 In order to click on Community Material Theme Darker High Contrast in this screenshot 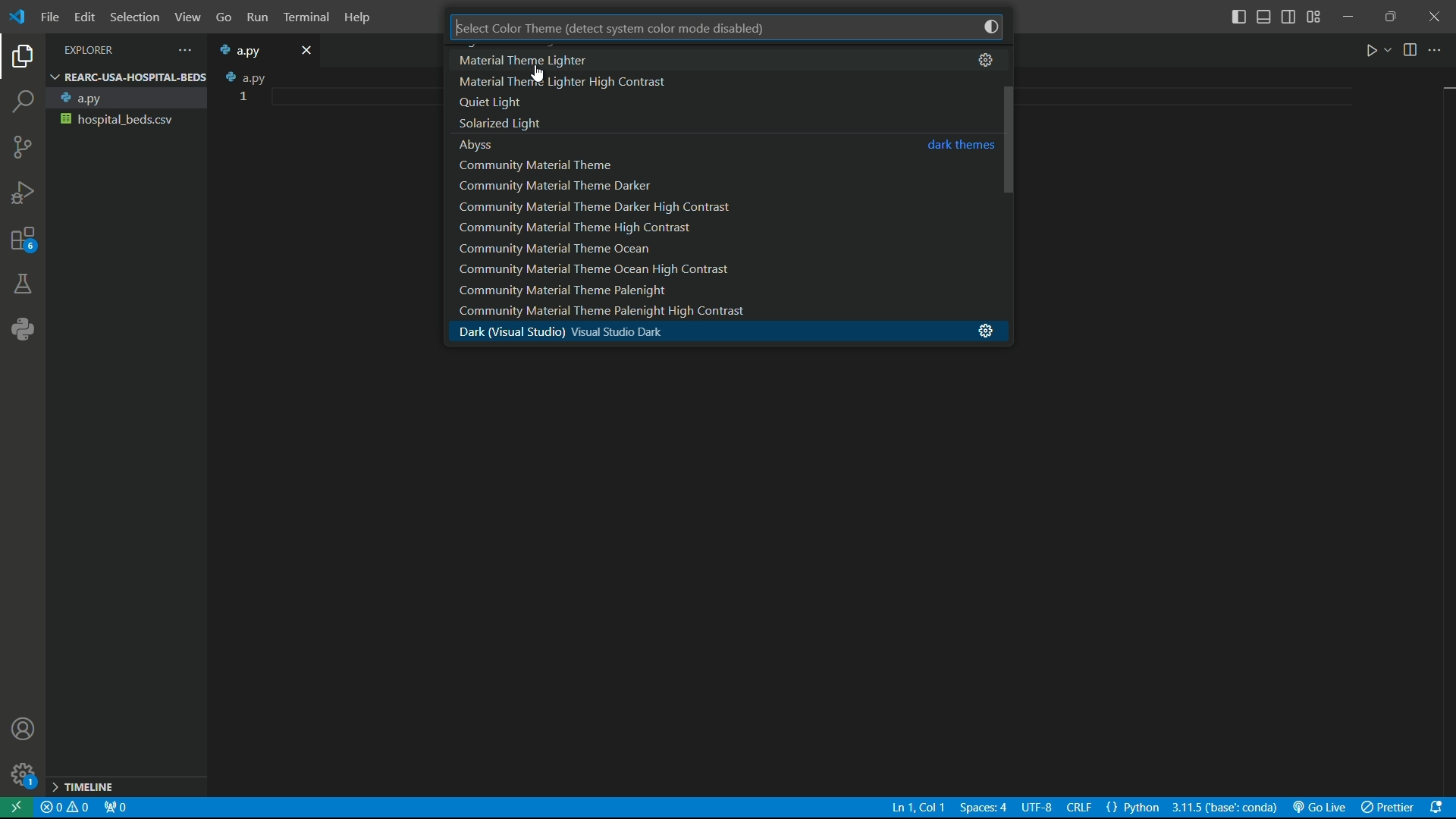, I will do `click(614, 206)`.